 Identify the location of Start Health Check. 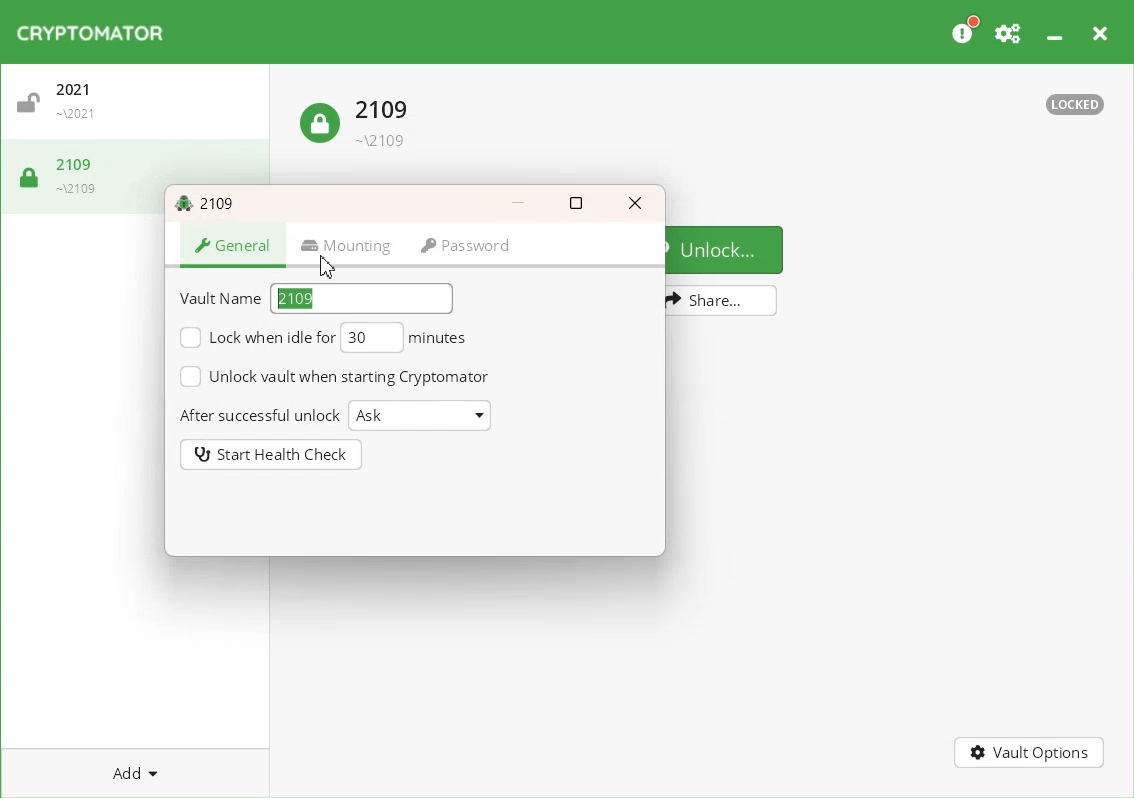
(272, 455).